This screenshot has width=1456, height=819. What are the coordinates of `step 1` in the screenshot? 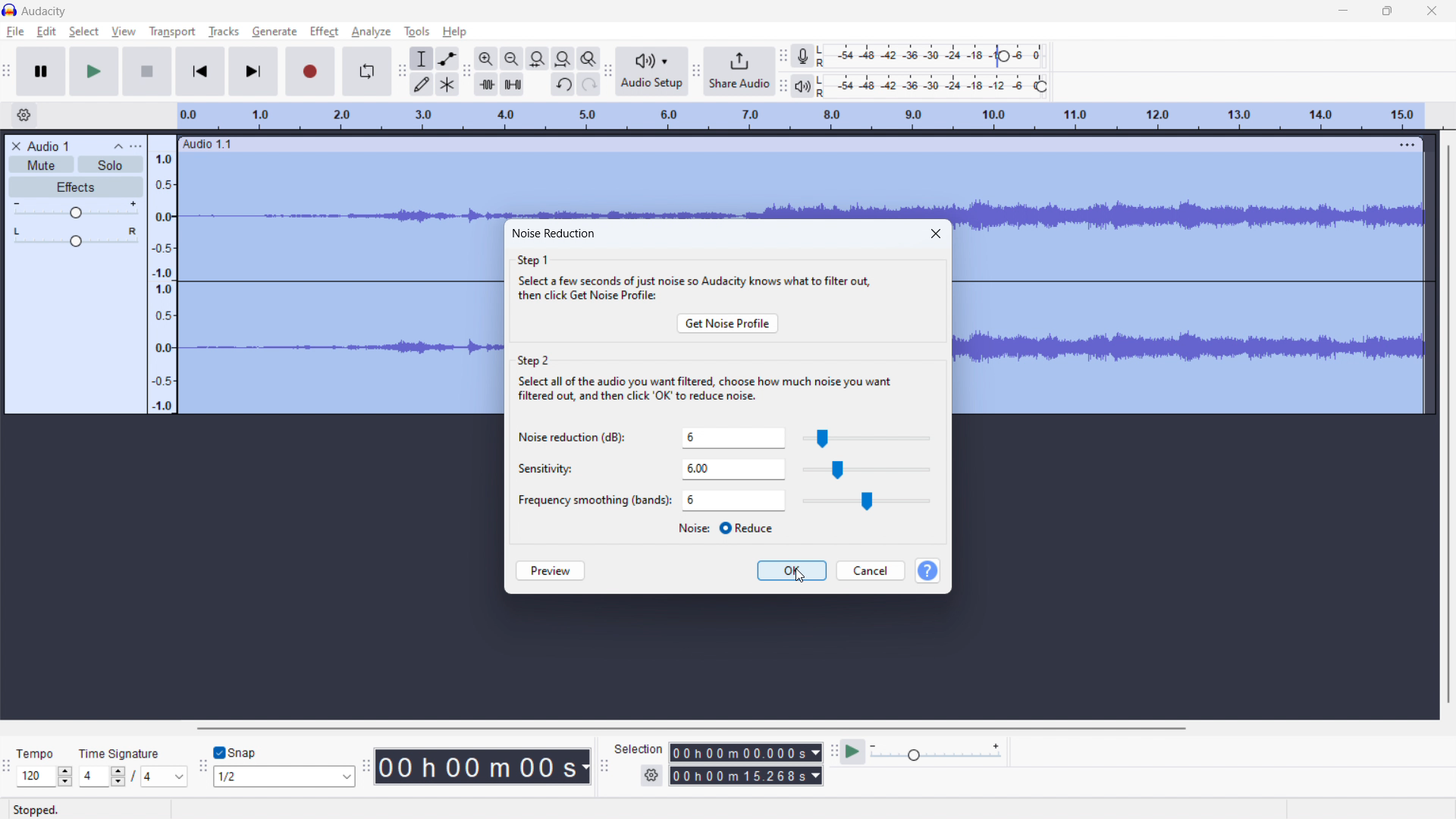 It's located at (693, 275).